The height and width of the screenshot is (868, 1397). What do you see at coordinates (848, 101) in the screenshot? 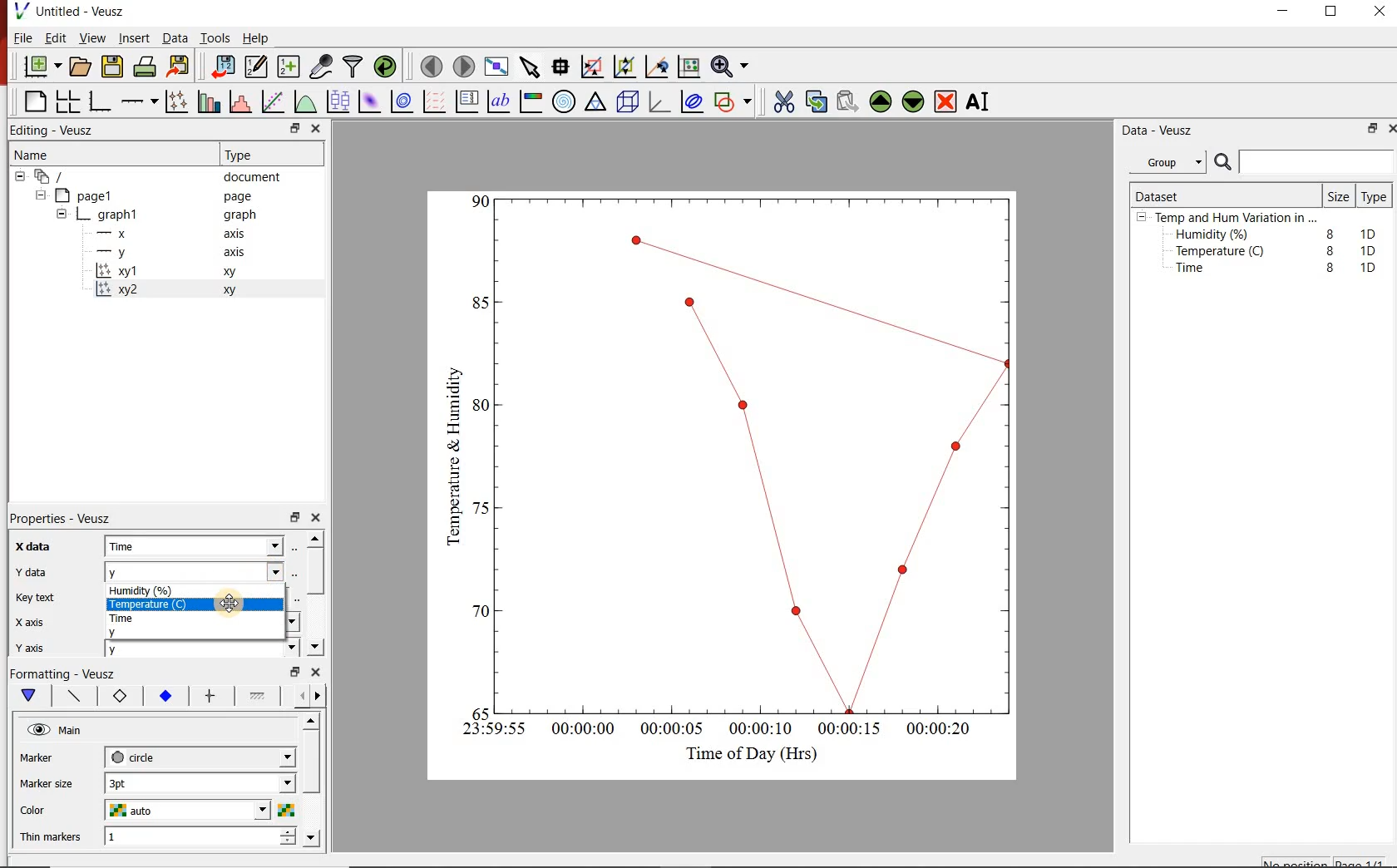
I see `Paste widget from the clipboard` at bounding box center [848, 101].